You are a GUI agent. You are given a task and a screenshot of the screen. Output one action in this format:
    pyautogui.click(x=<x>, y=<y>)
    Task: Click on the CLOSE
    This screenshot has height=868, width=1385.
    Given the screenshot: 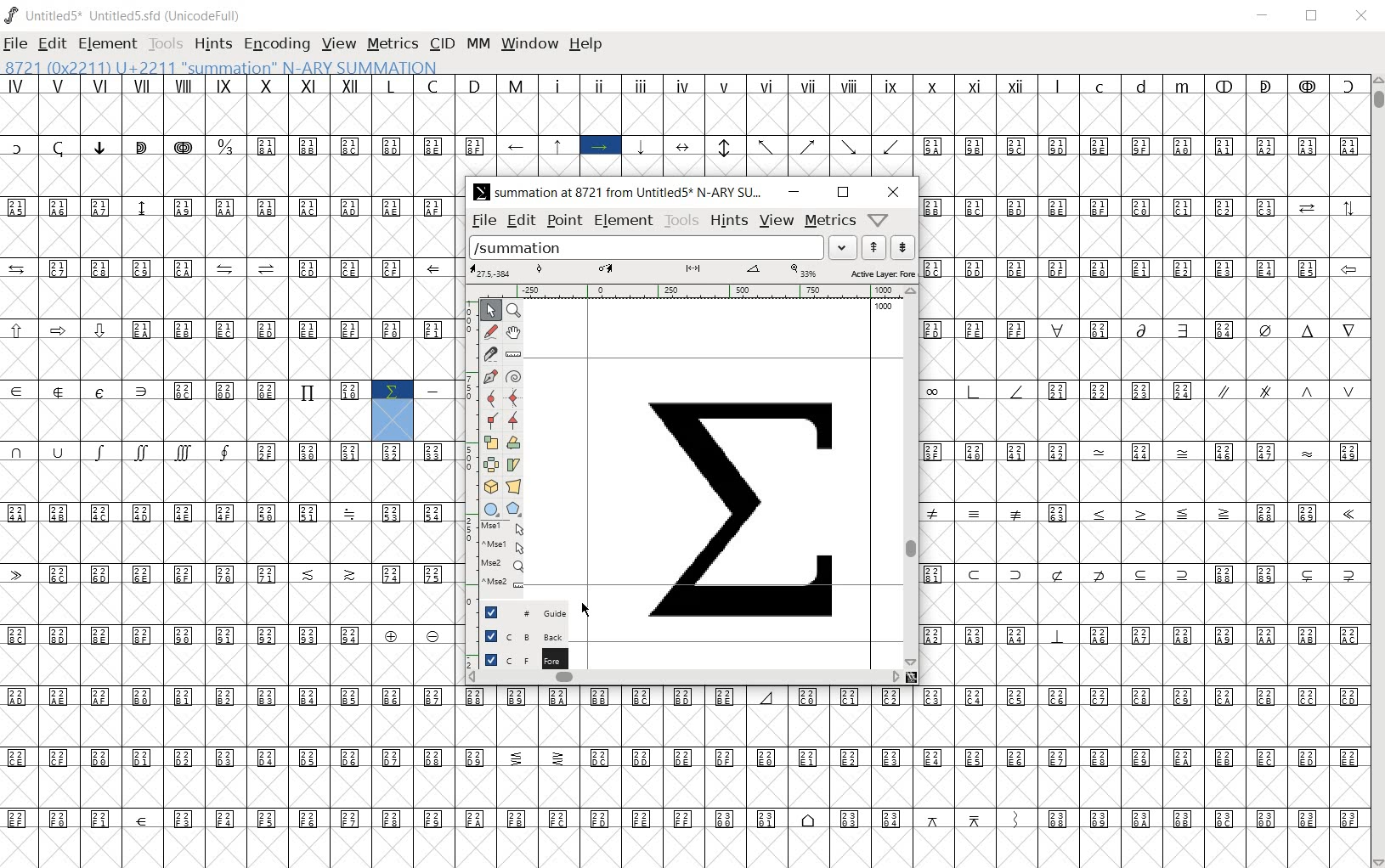 What is the action you would take?
    pyautogui.click(x=1362, y=16)
    